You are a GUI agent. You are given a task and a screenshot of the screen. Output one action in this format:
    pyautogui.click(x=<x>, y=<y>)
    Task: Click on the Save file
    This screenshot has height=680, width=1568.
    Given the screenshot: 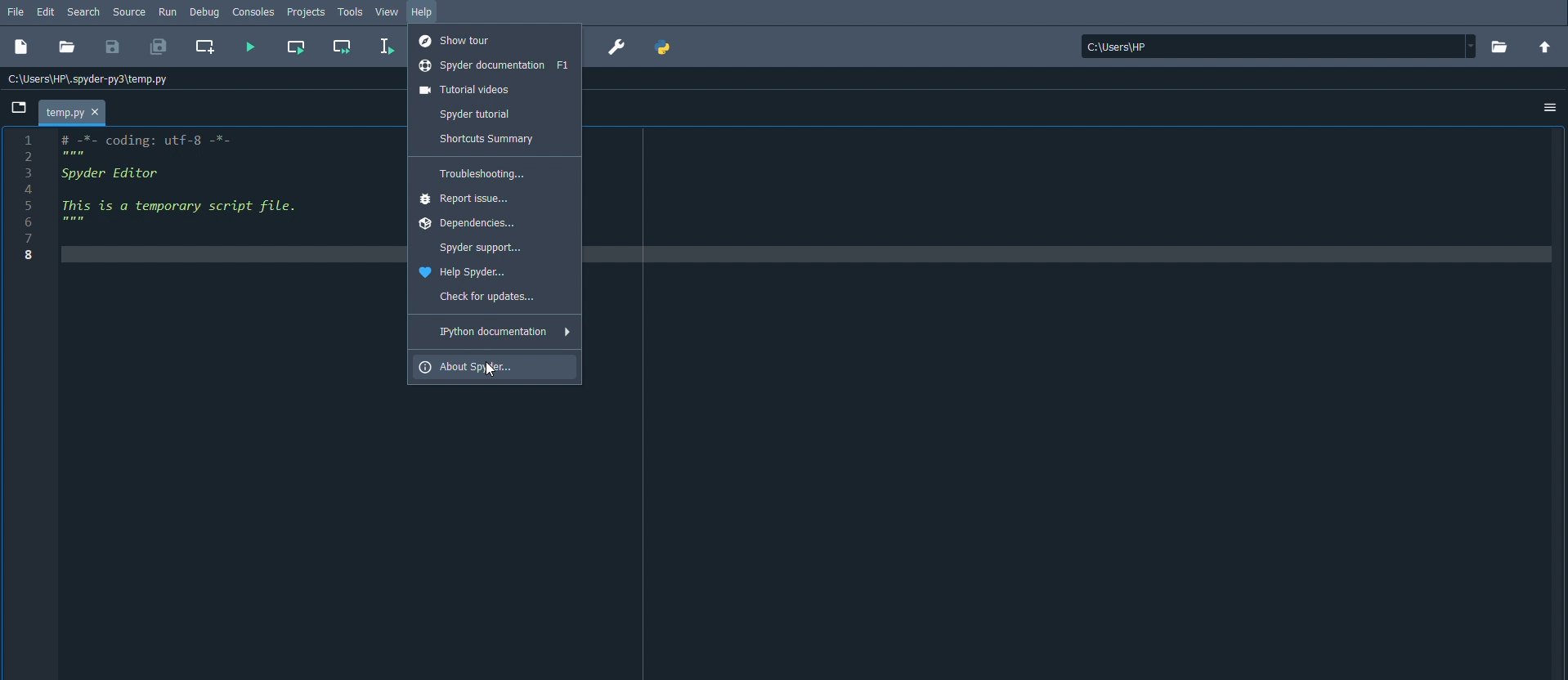 What is the action you would take?
    pyautogui.click(x=114, y=46)
    